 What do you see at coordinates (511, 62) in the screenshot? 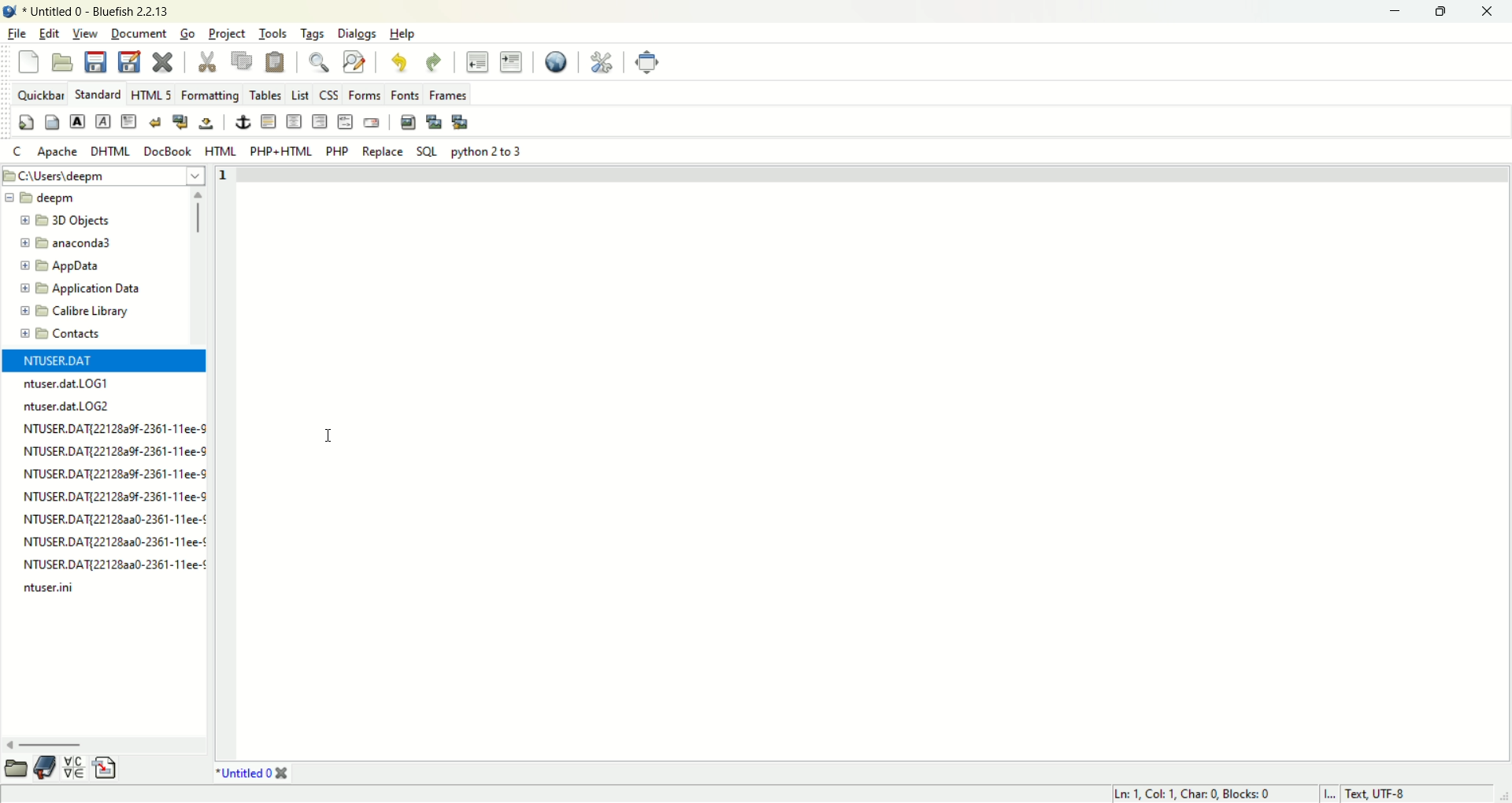
I see `indent` at bounding box center [511, 62].